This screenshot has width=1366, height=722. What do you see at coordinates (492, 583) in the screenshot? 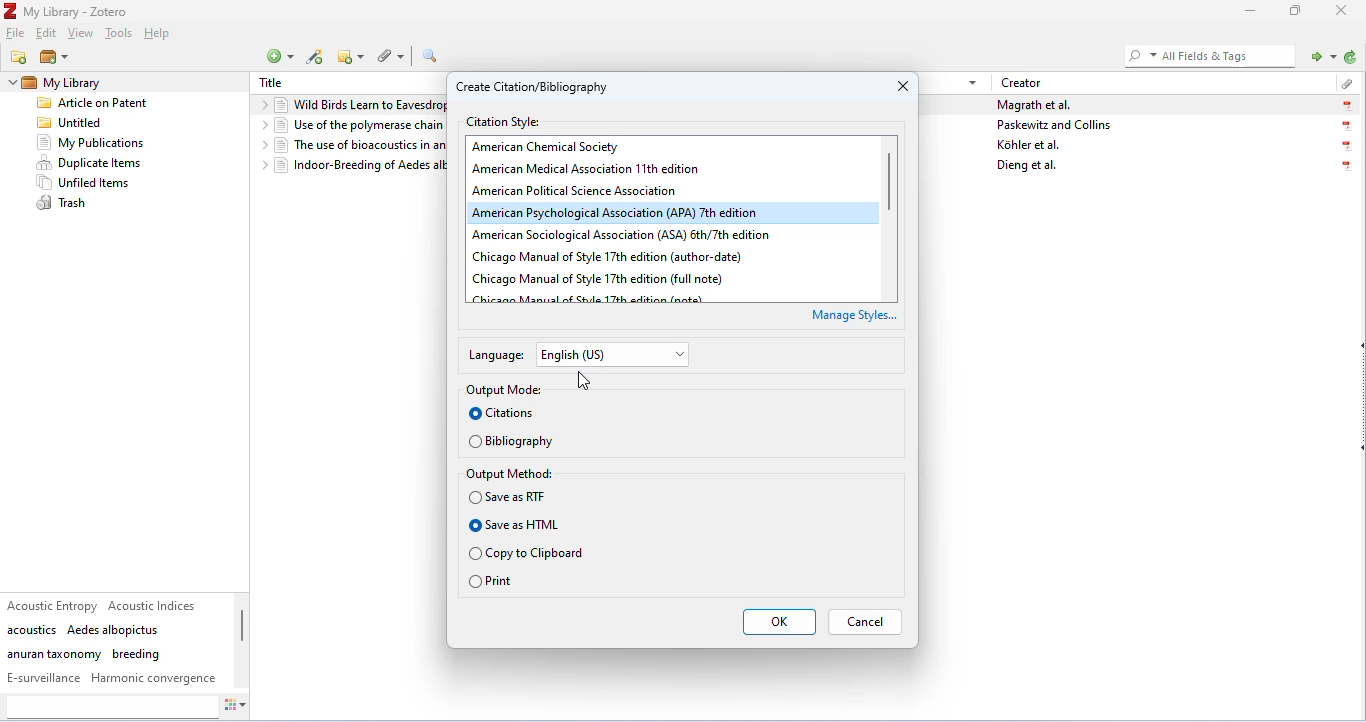
I see `print` at bounding box center [492, 583].